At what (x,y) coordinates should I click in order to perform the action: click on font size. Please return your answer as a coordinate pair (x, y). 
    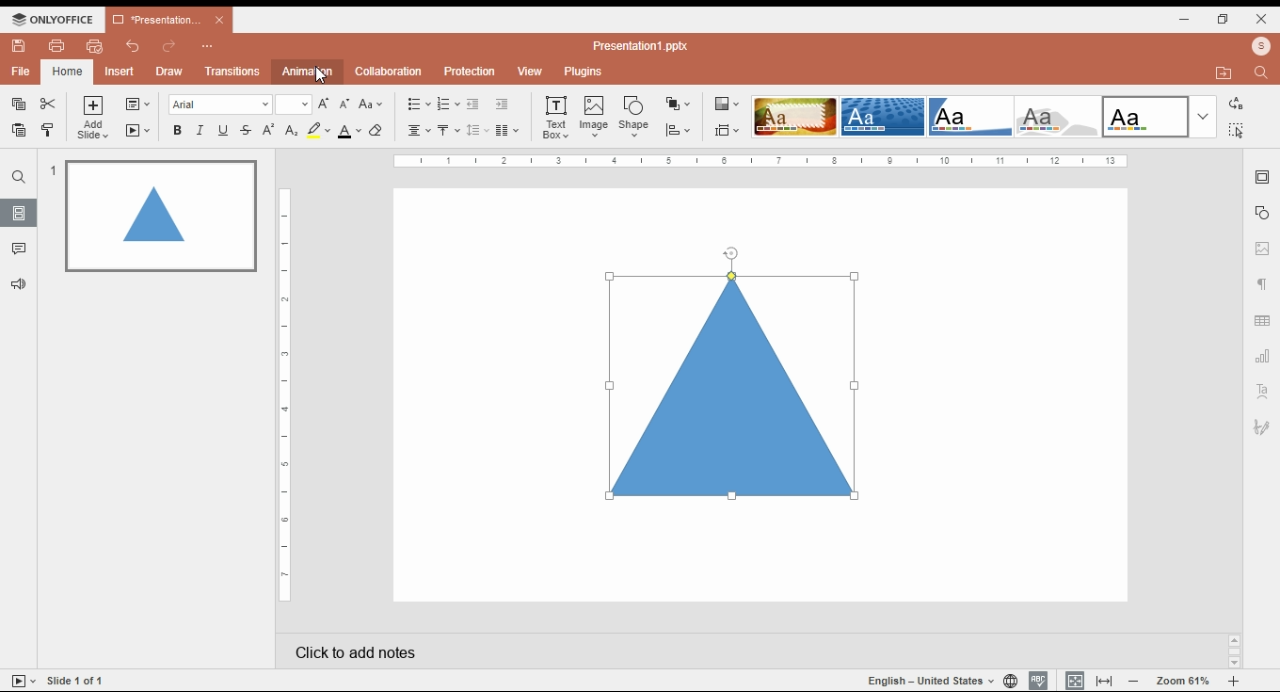
    Looking at the image, I should click on (294, 105).